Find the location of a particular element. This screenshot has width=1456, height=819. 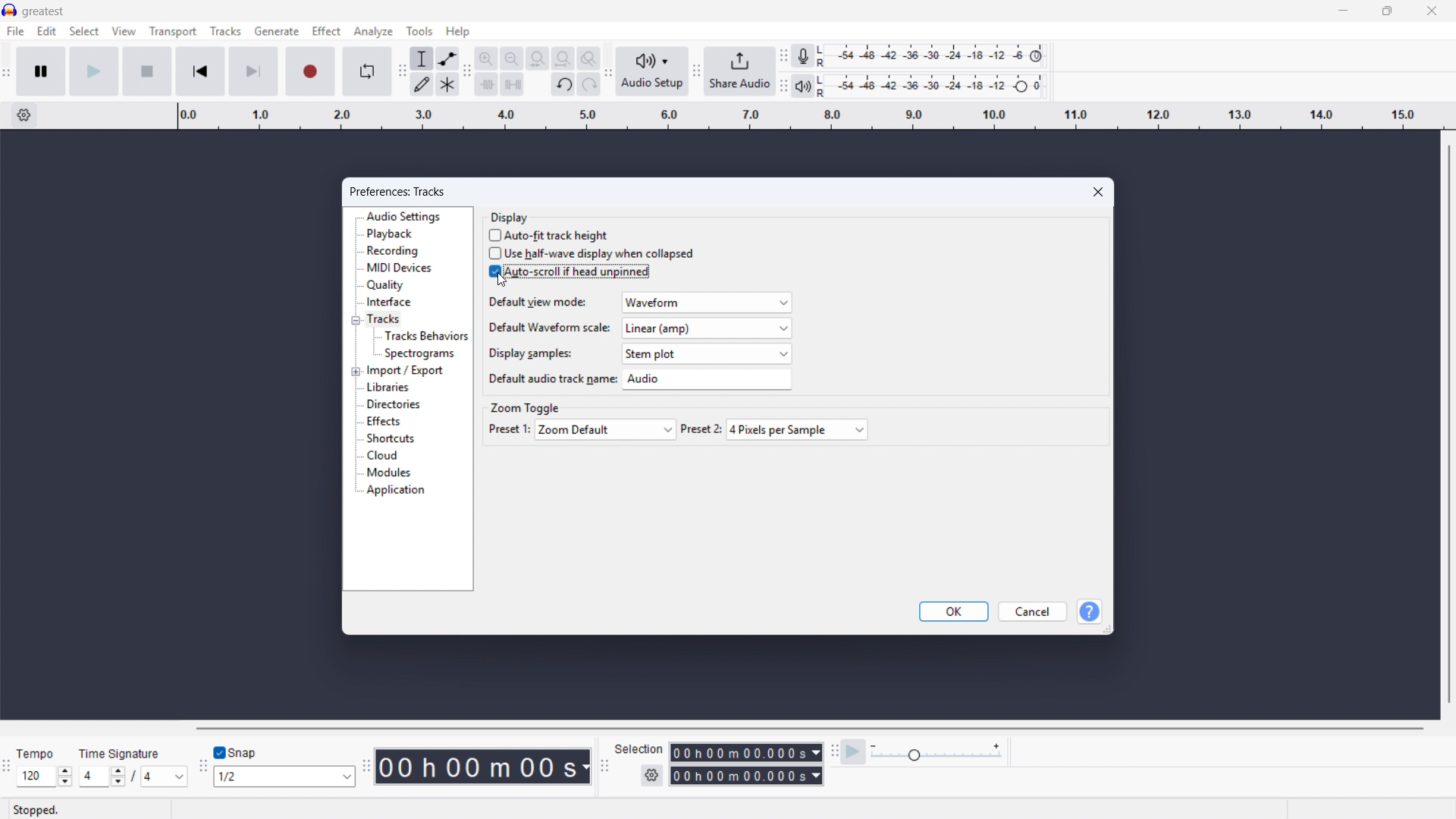

redo is located at coordinates (589, 84).